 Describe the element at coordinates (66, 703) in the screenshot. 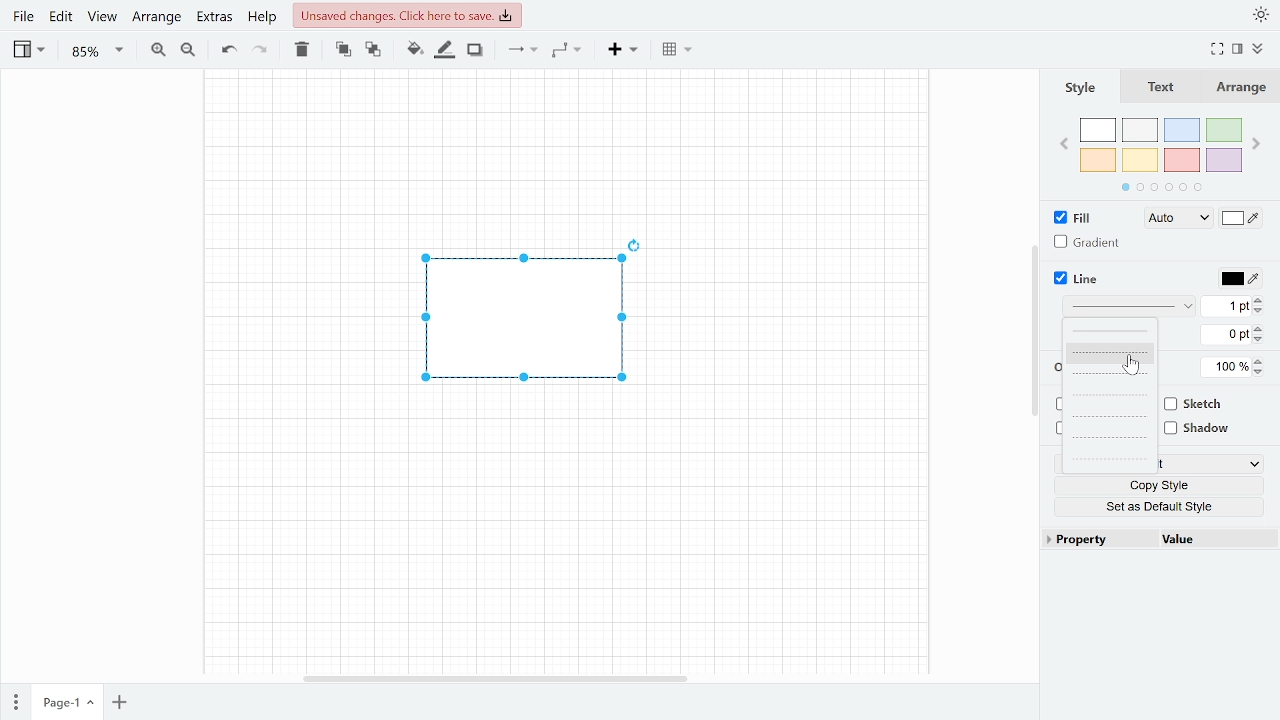

I see `Current page (page 1)` at that location.